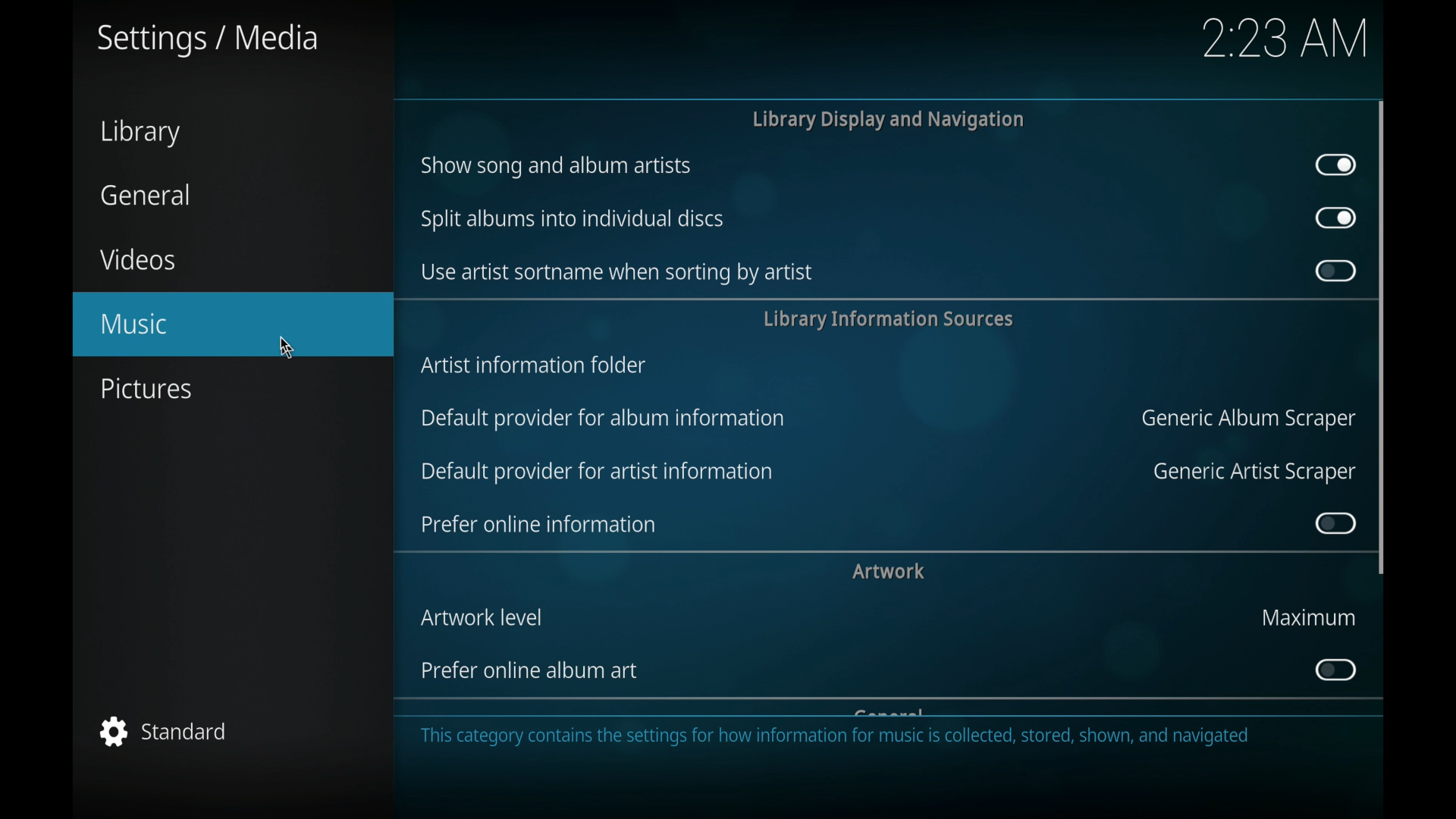 The width and height of the screenshot is (1456, 819). Describe the element at coordinates (234, 323) in the screenshot. I see `music` at that location.